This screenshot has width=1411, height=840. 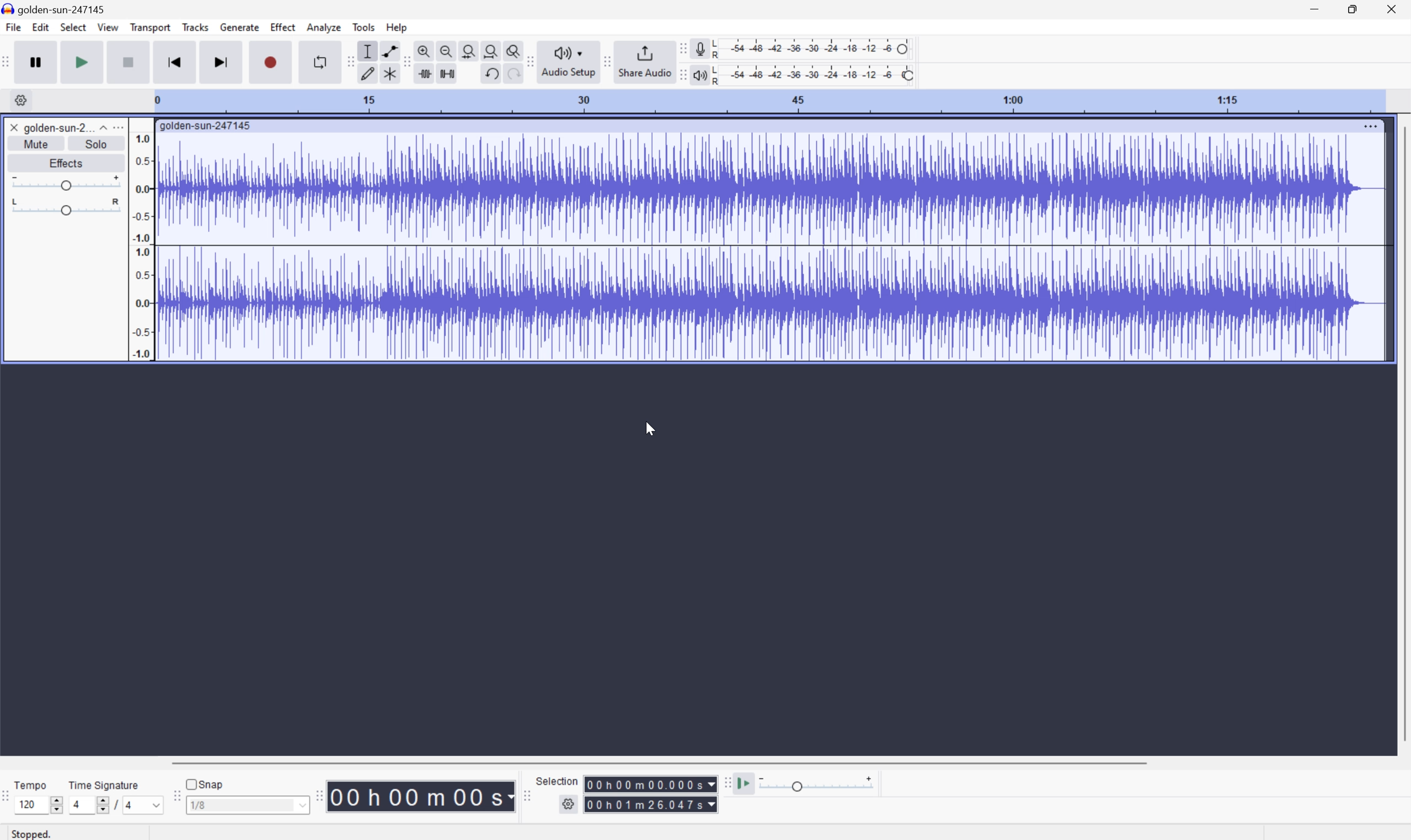 I want to click on Play, so click(x=82, y=61).